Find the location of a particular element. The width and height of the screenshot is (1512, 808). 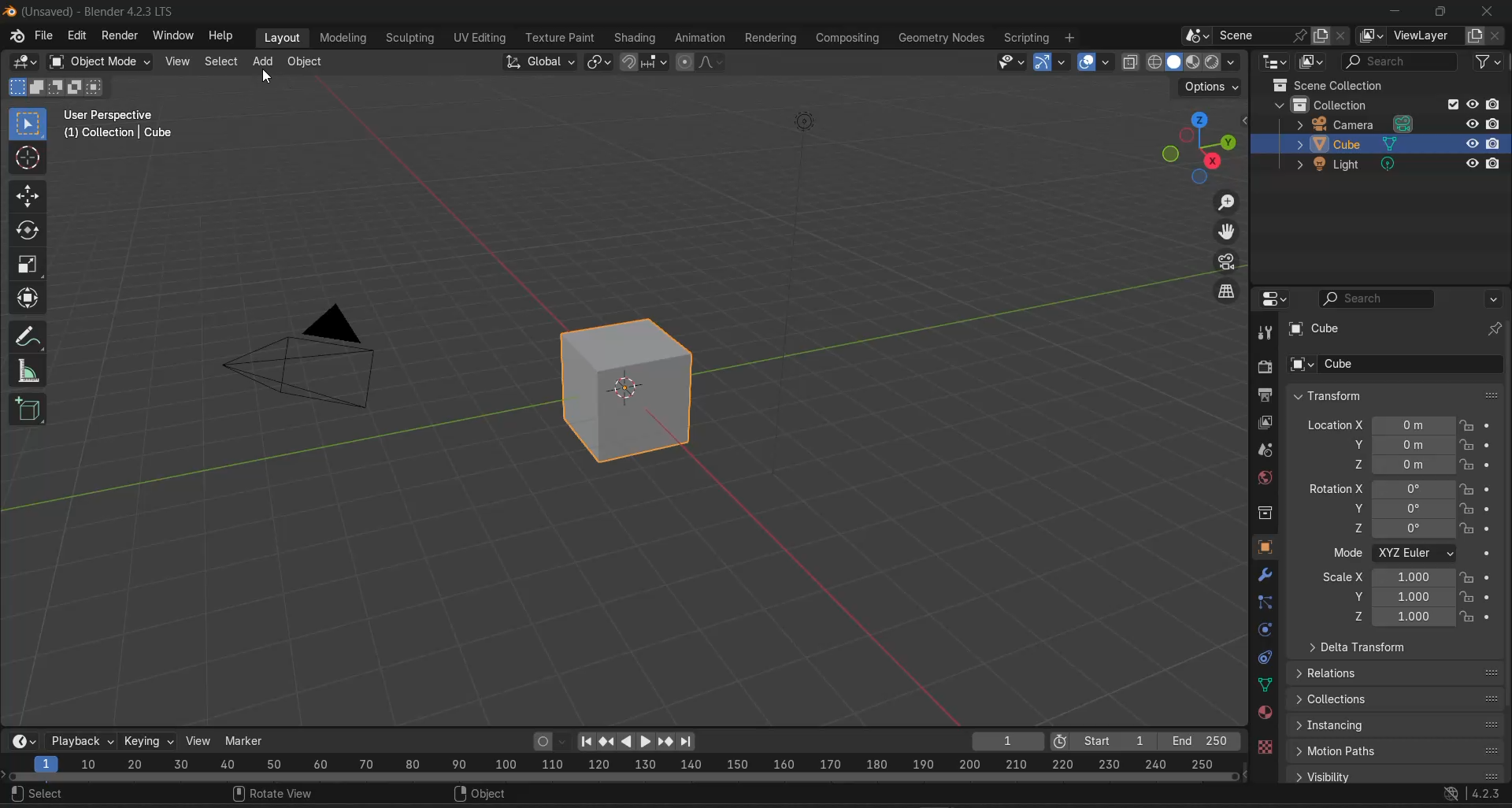

particles is located at coordinates (1267, 602).